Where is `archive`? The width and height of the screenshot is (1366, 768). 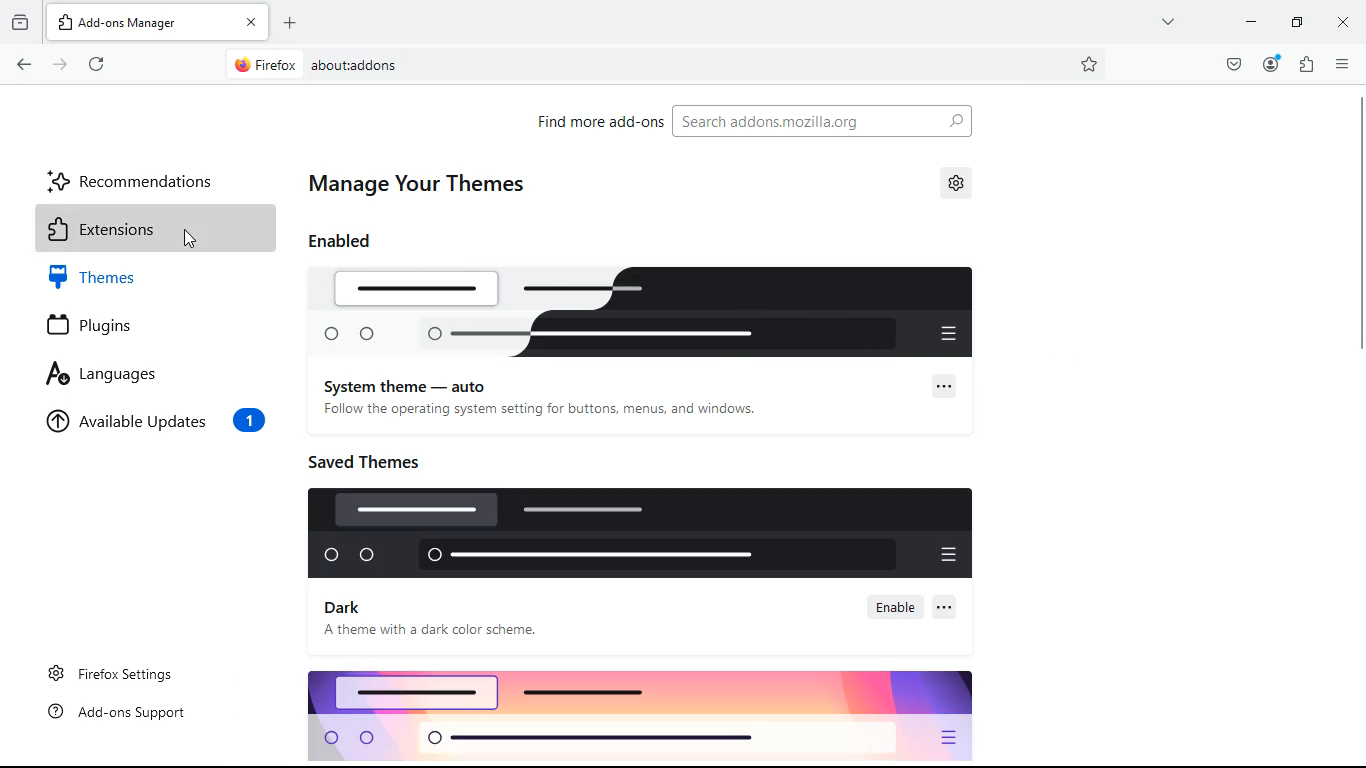 archive is located at coordinates (18, 25).